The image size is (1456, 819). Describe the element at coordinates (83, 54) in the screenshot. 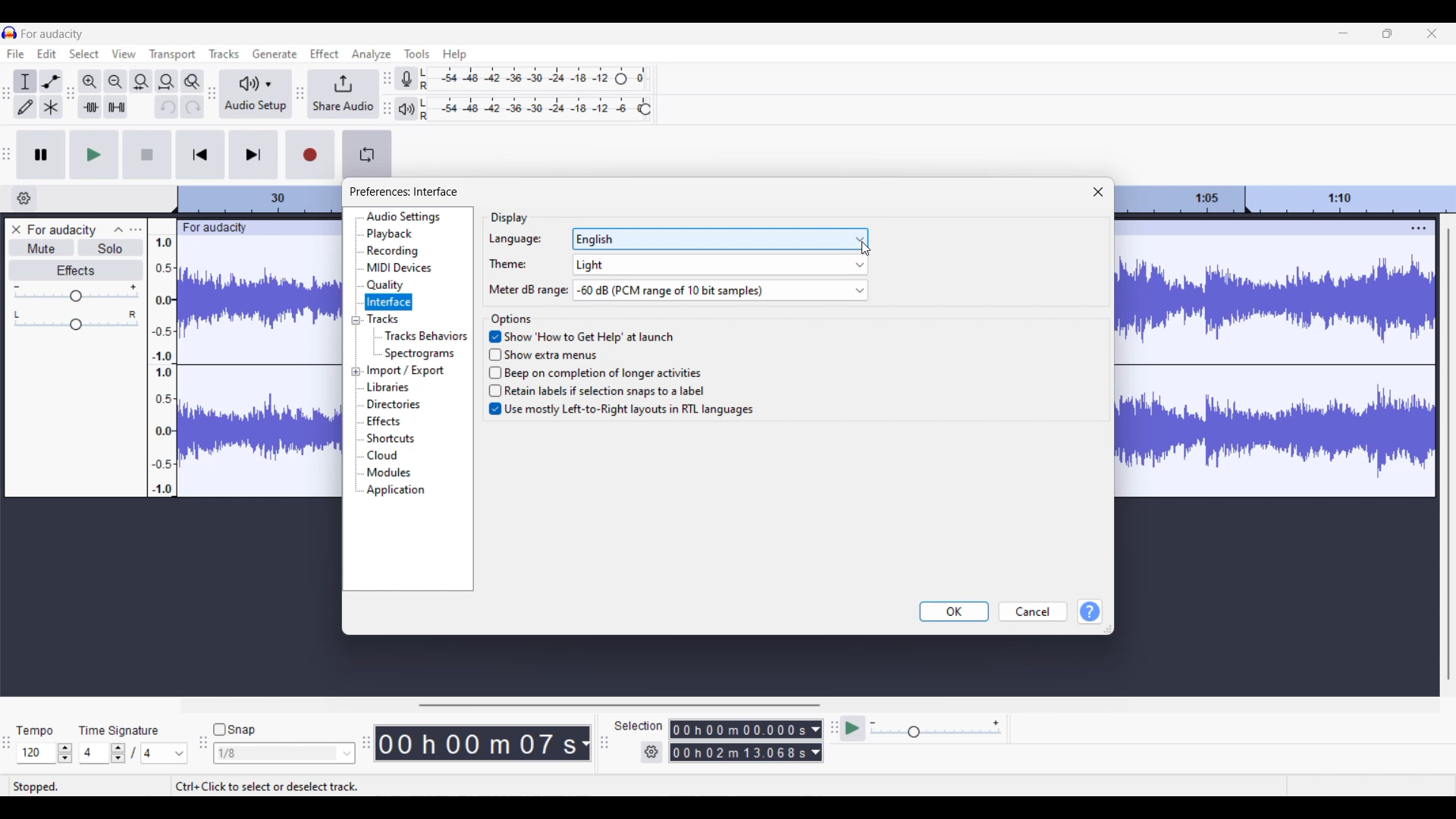

I see `Select menu` at that location.